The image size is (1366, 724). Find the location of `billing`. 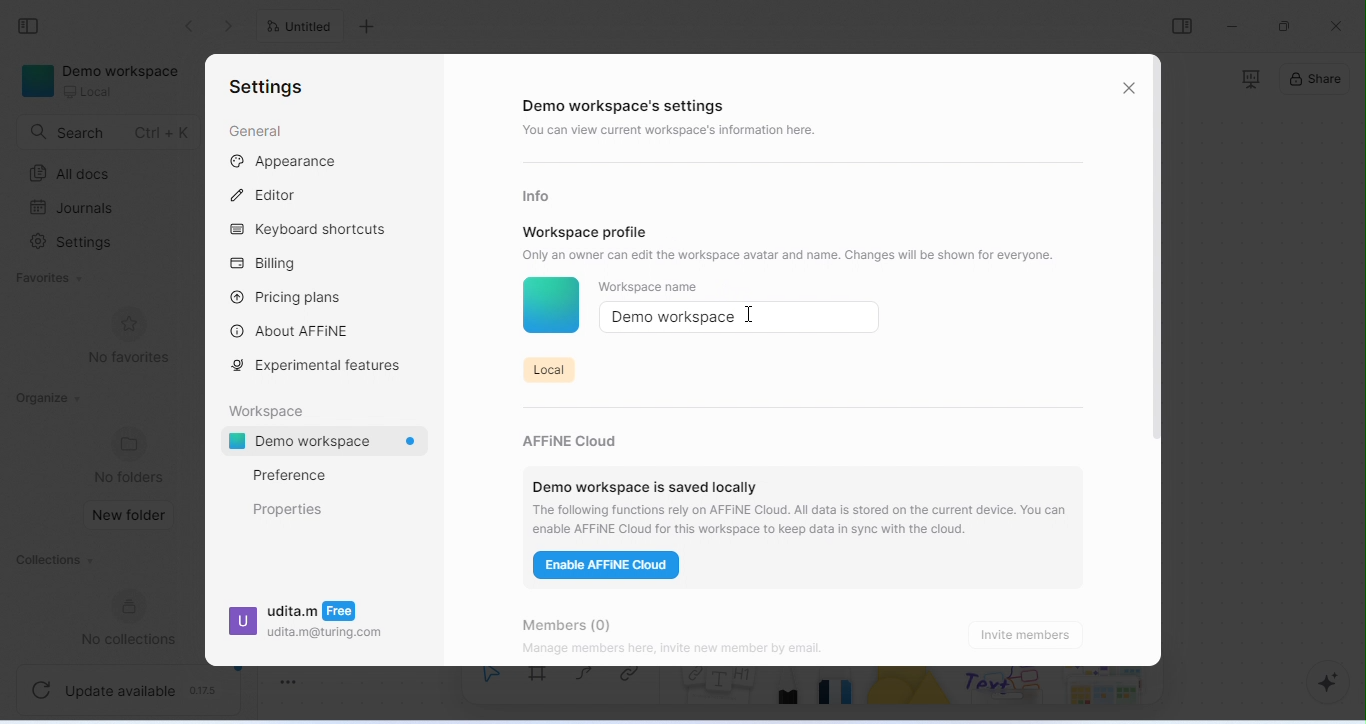

billing is located at coordinates (269, 264).